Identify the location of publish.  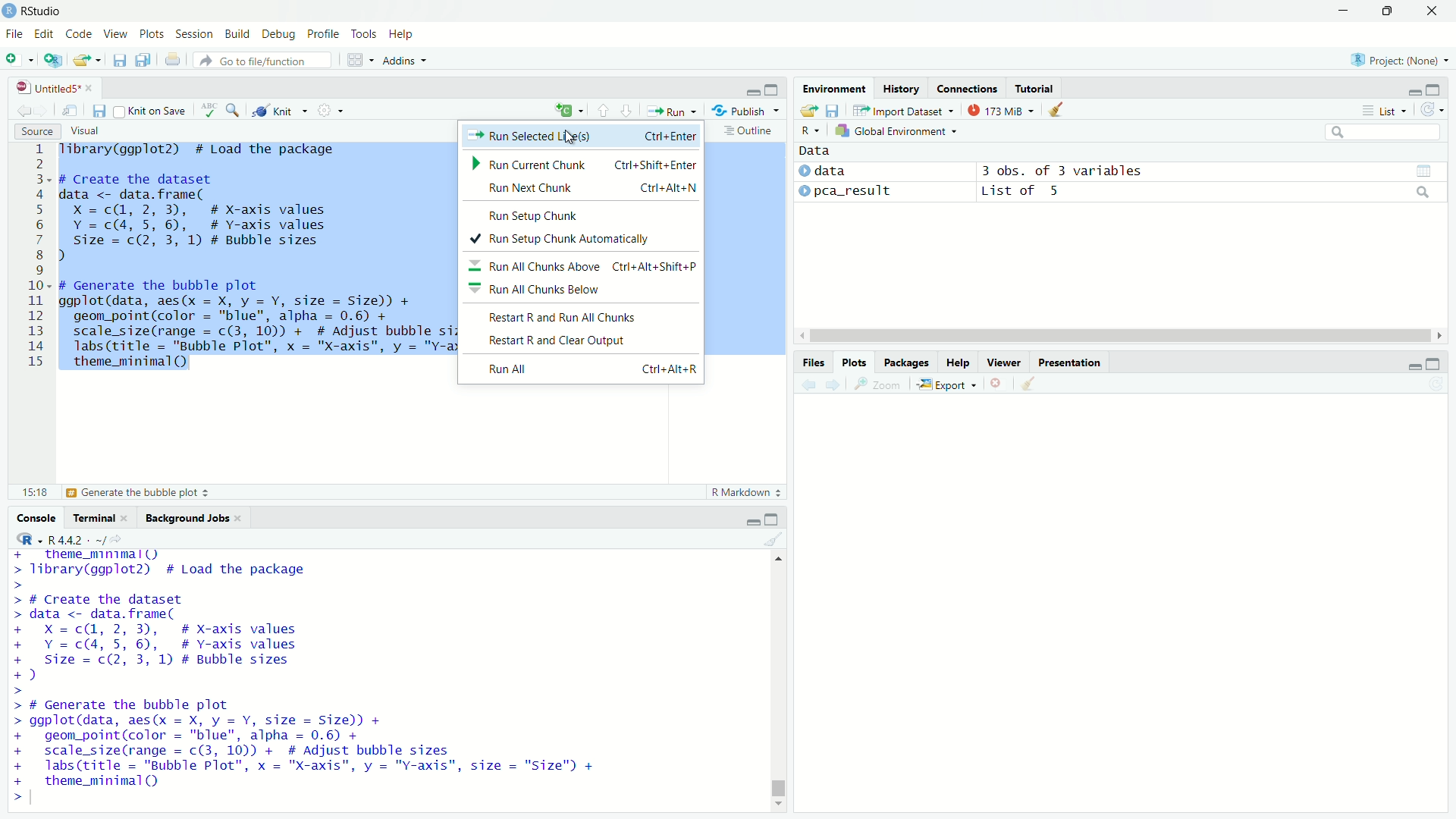
(745, 109).